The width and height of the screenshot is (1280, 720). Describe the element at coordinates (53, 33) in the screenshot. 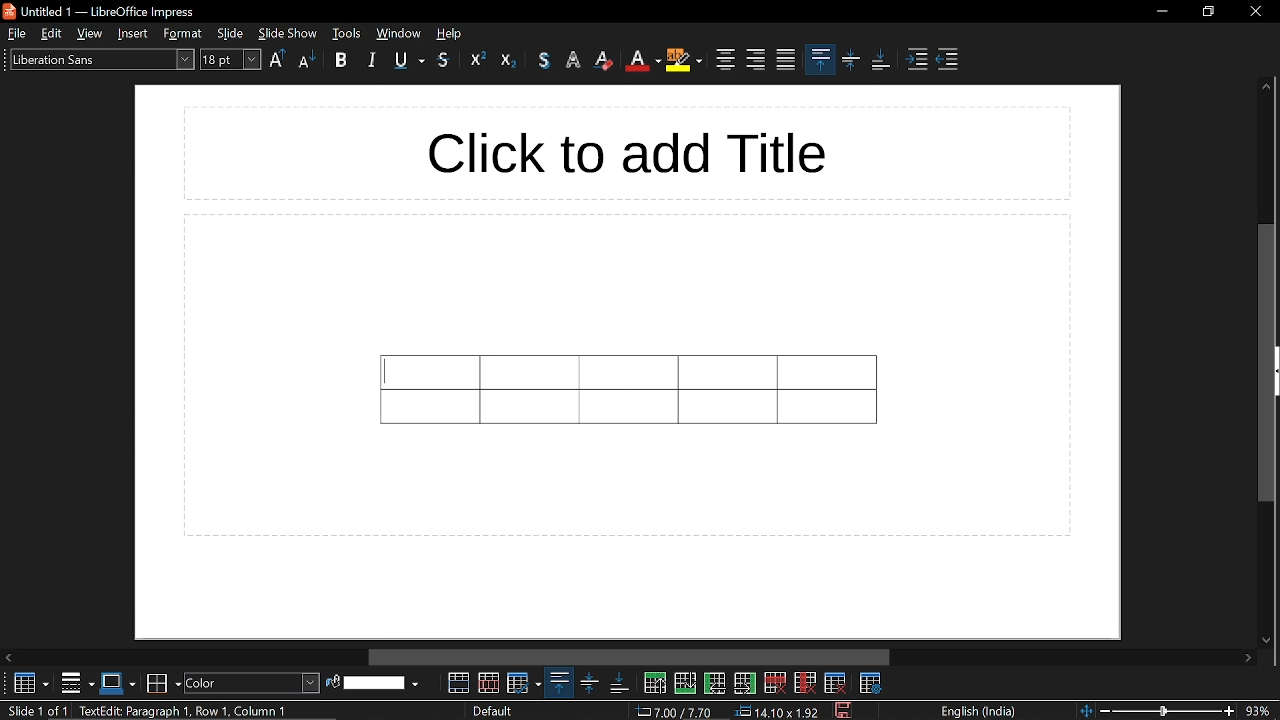

I see `edit` at that location.